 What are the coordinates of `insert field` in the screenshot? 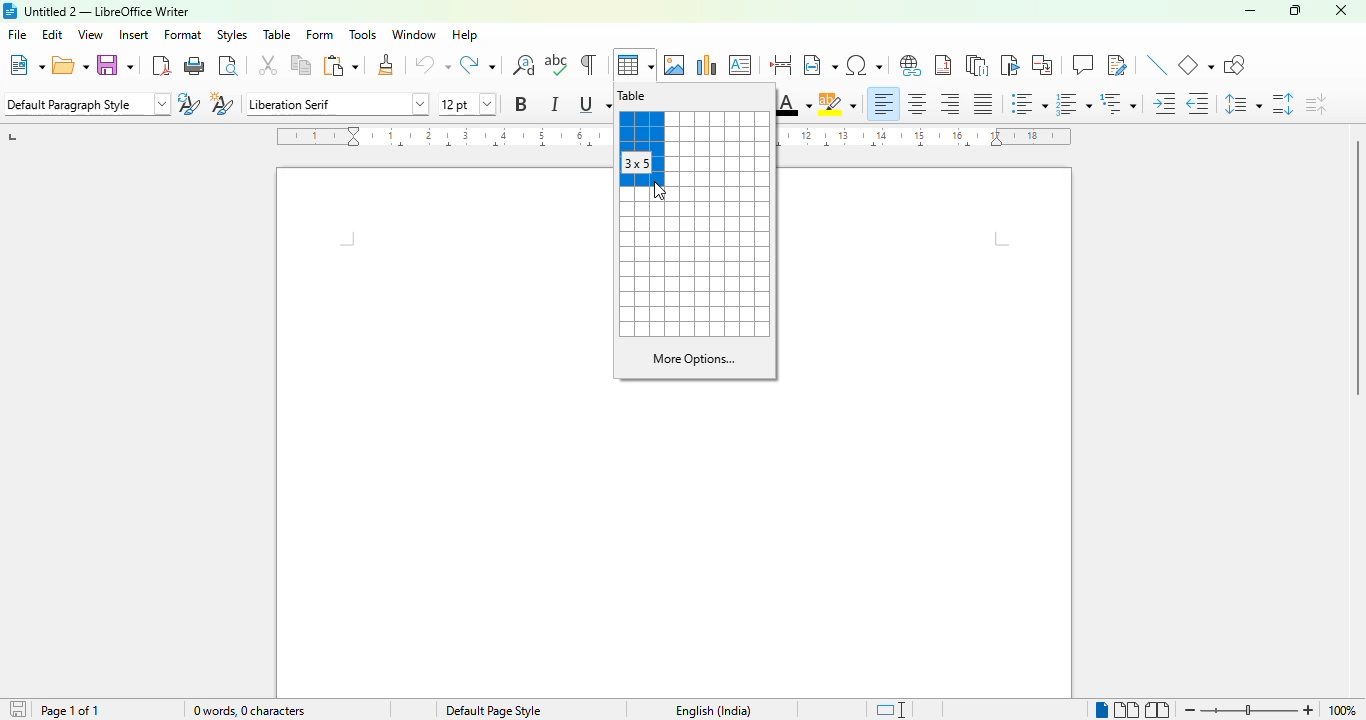 It's located at (820, 63).